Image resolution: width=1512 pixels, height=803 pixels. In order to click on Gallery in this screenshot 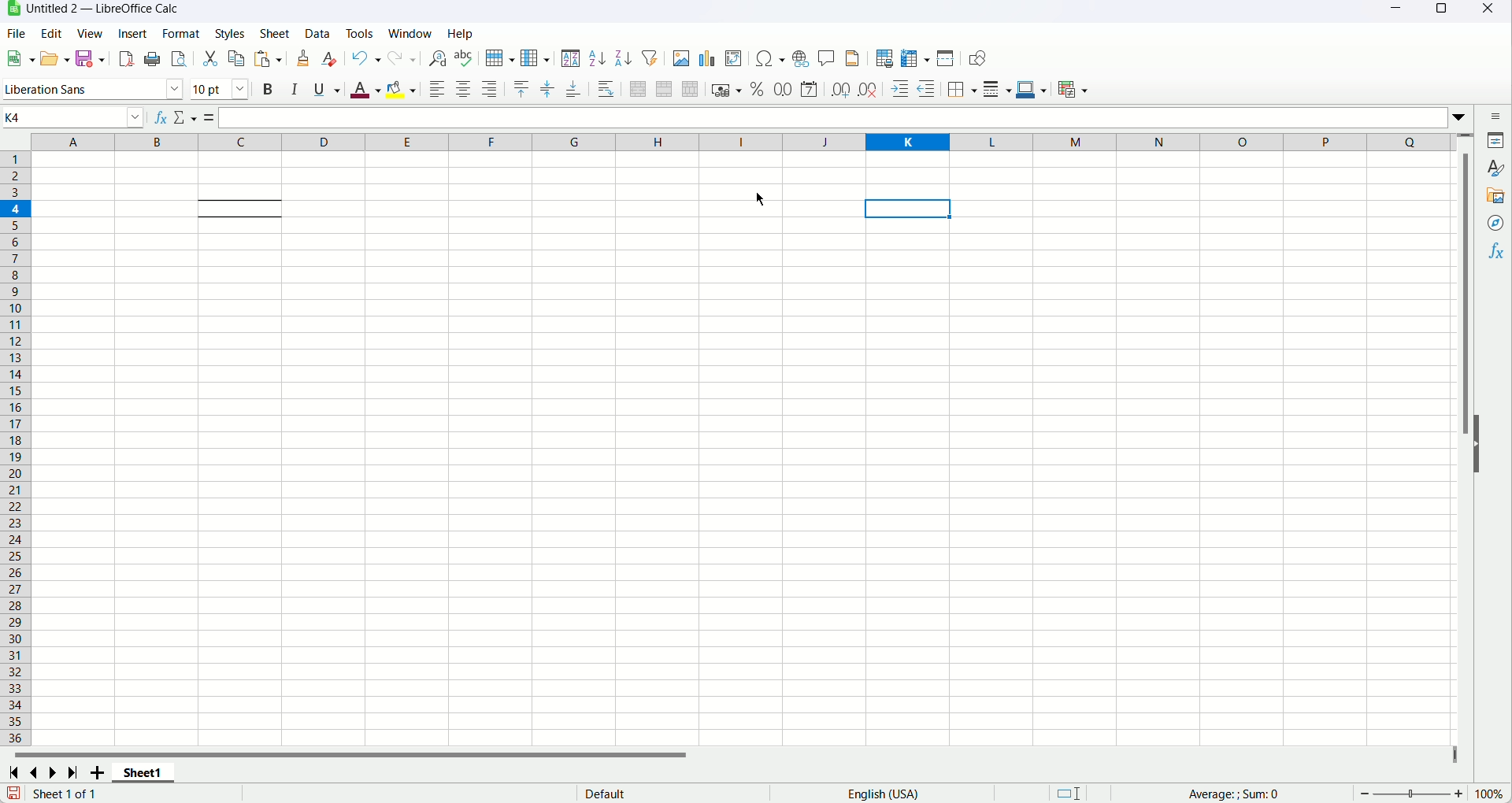, I will do `click(1496, 194)`.